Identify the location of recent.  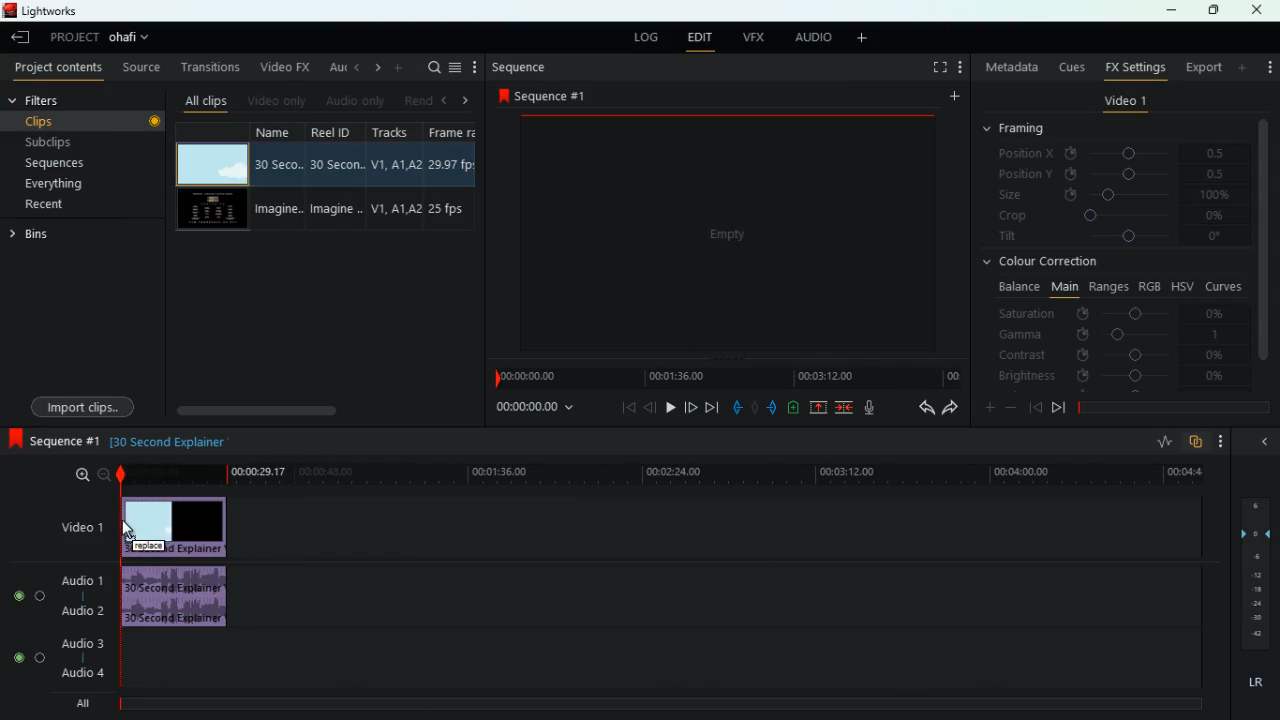
(66, 204).